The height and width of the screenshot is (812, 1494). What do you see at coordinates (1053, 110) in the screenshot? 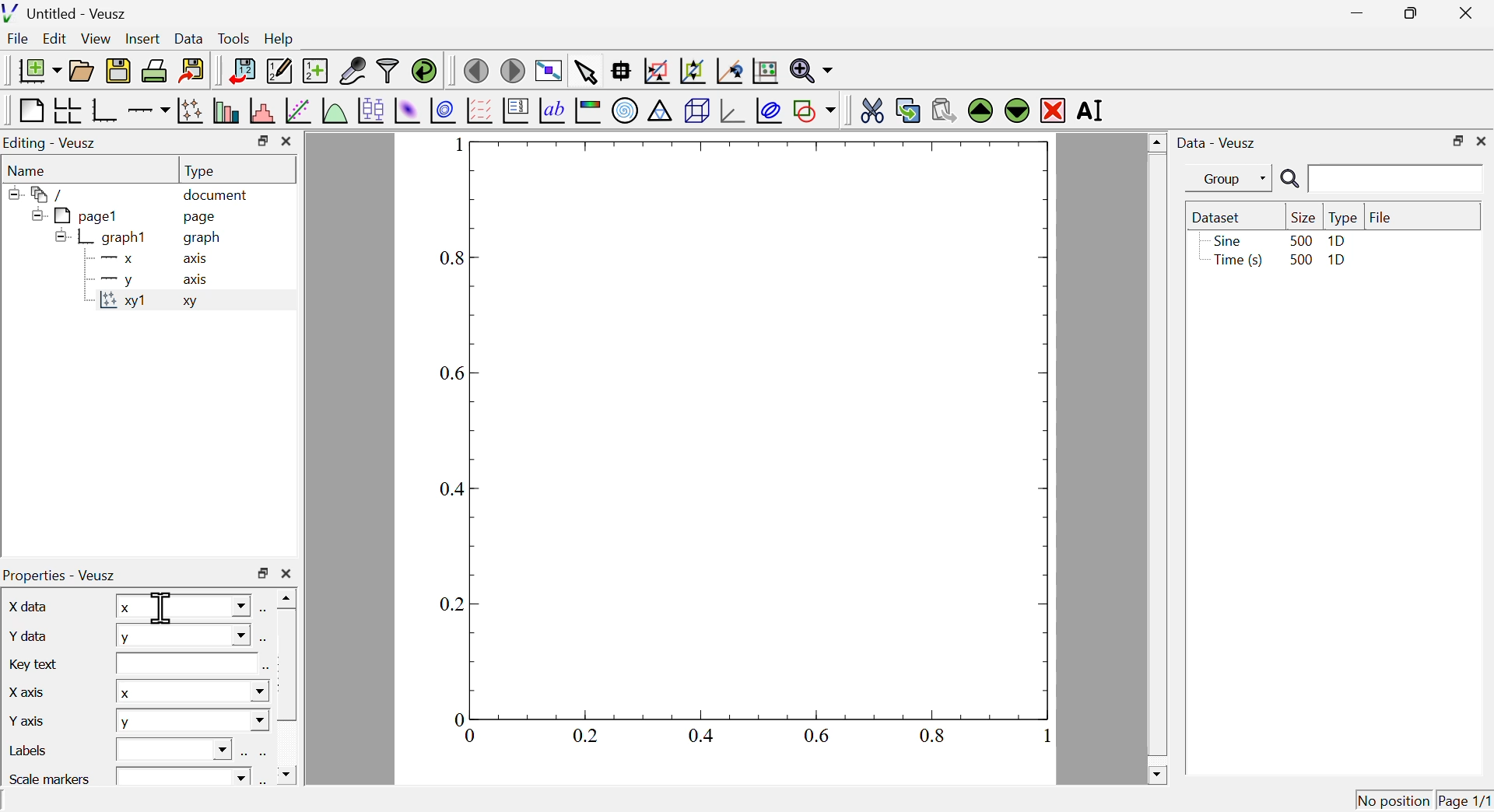
I see `remove the selected widget` at bounding box center [1053, 110].